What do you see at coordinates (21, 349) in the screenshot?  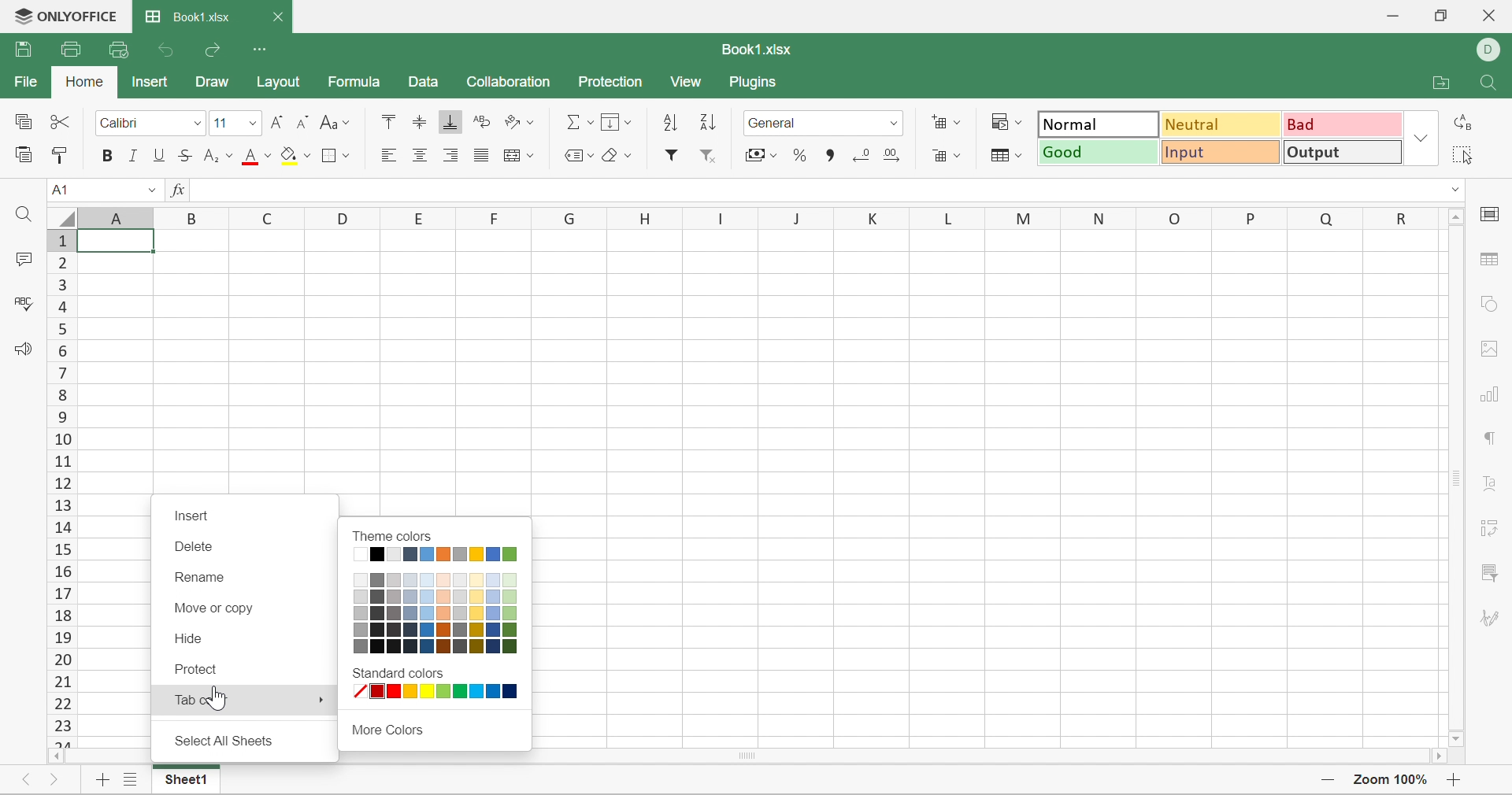 I see `Feedback & Support` at bounding box center [21, 349].